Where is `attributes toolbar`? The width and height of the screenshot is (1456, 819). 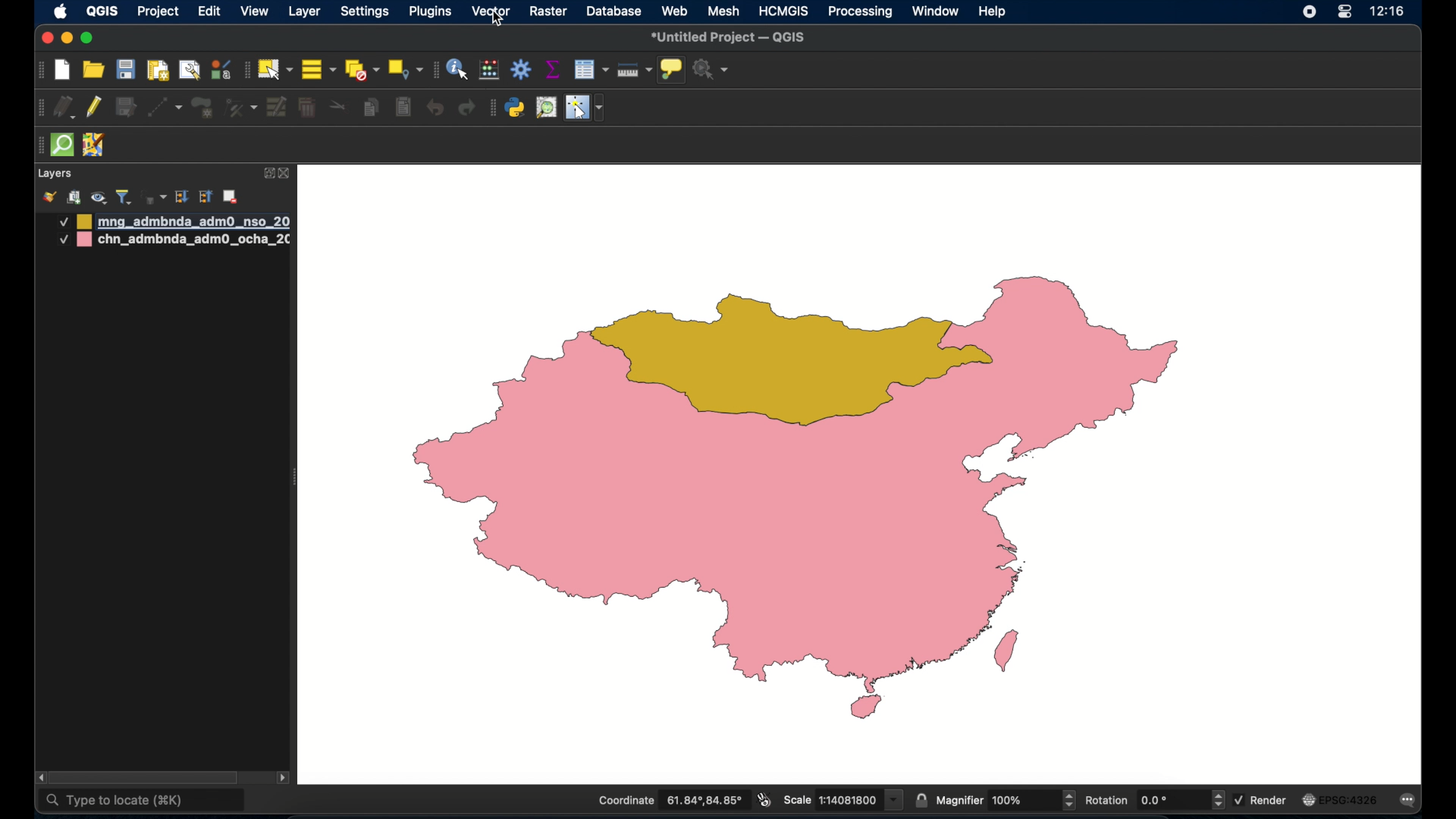
attributes toolbar is located at coordinates (433, 70).